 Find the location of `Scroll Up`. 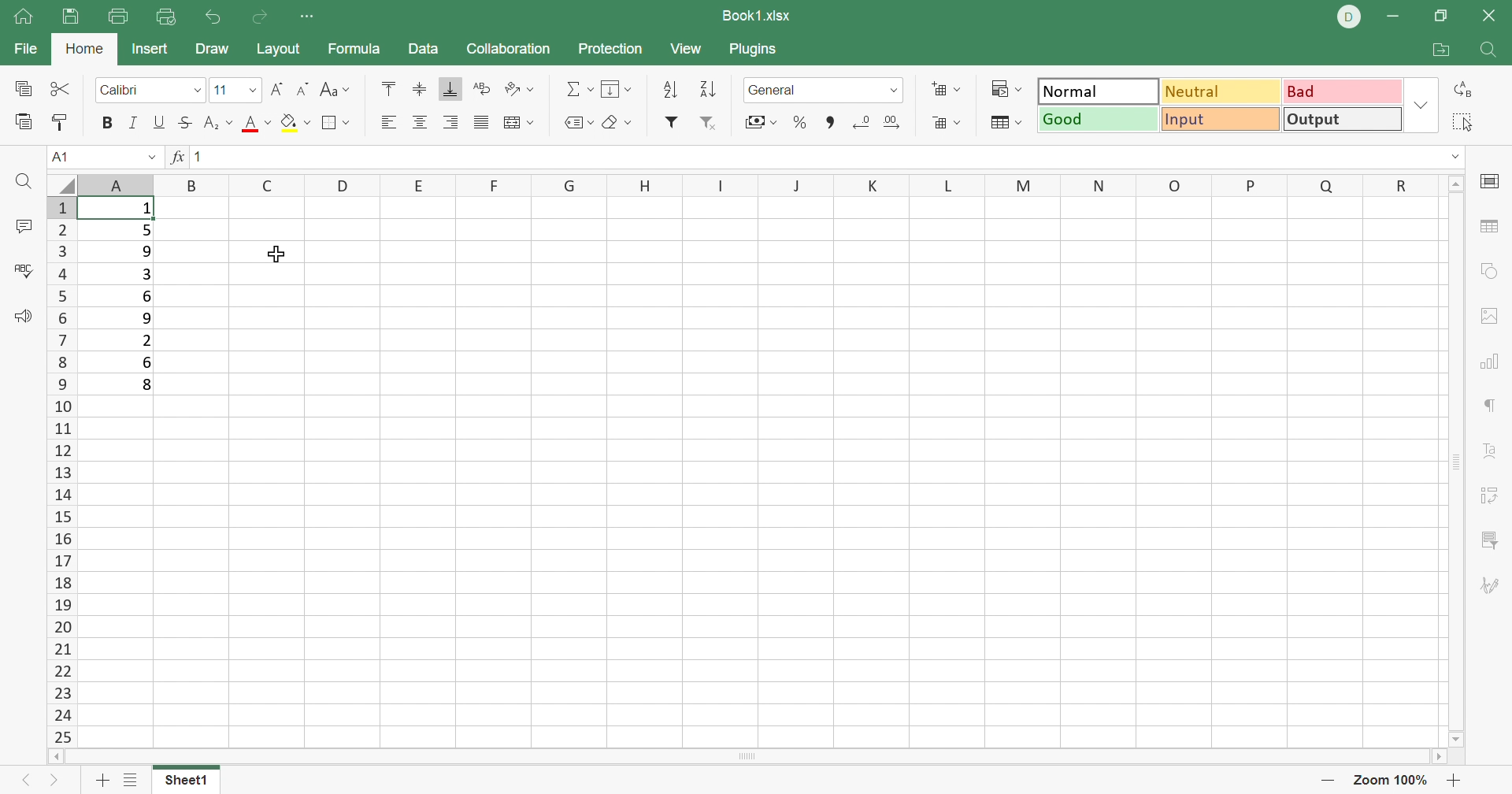

Scroll Up is located at coordinates (1454, 184).